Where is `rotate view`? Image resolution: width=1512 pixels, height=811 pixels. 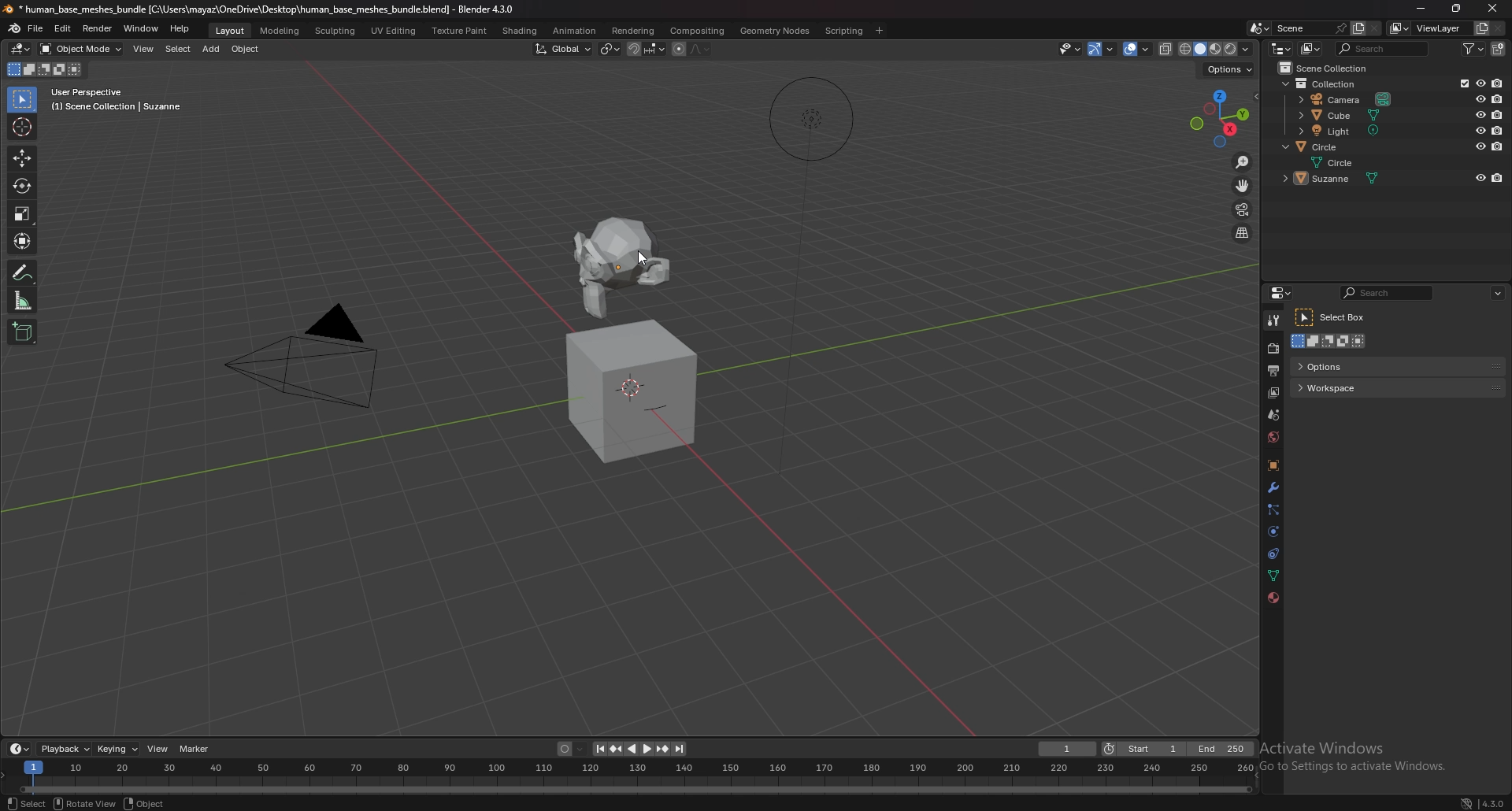 rotate view is located at coordinates (84, 802).